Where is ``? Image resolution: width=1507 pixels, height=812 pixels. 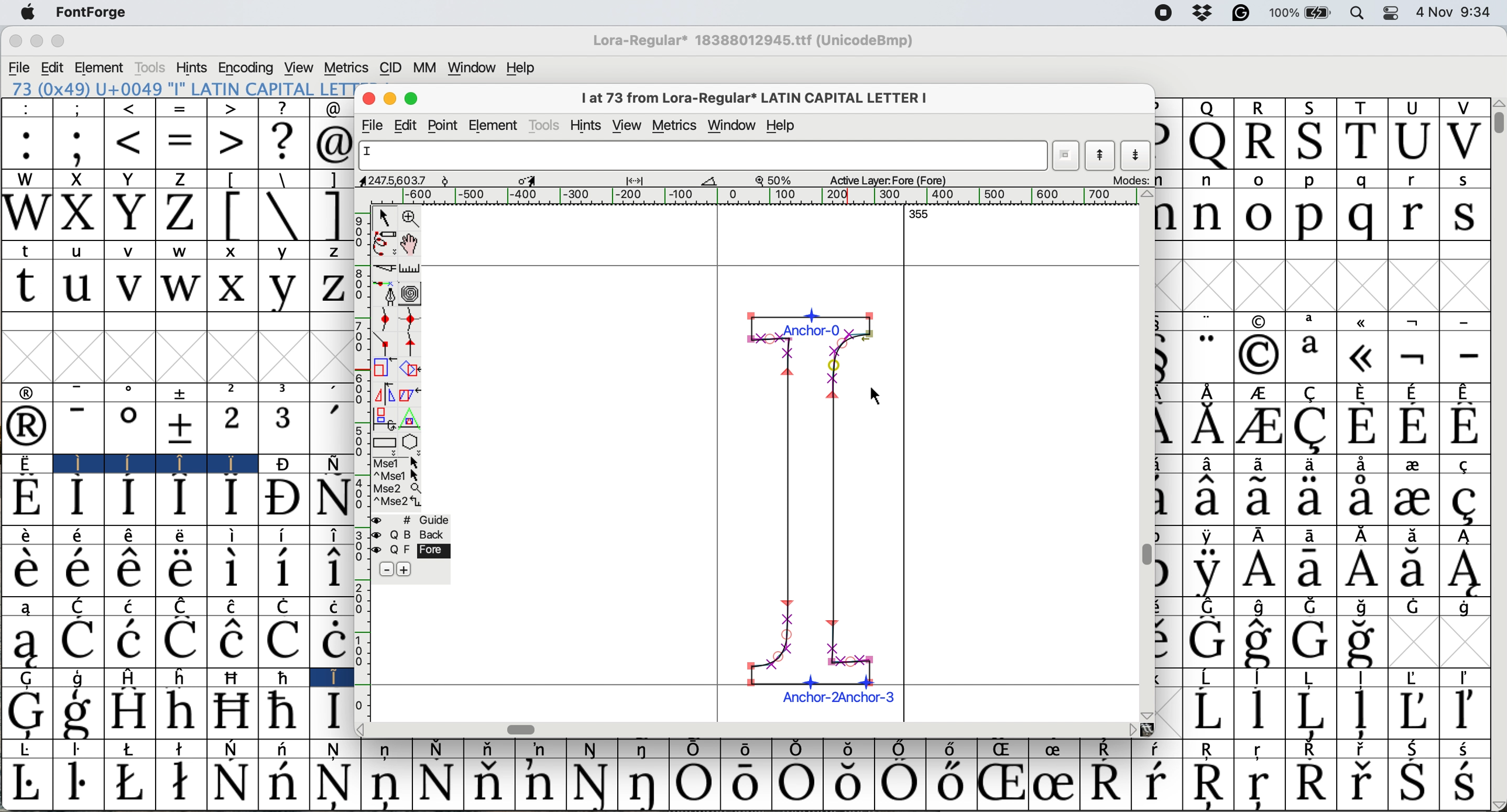
 is located at coordinates (181, 461).